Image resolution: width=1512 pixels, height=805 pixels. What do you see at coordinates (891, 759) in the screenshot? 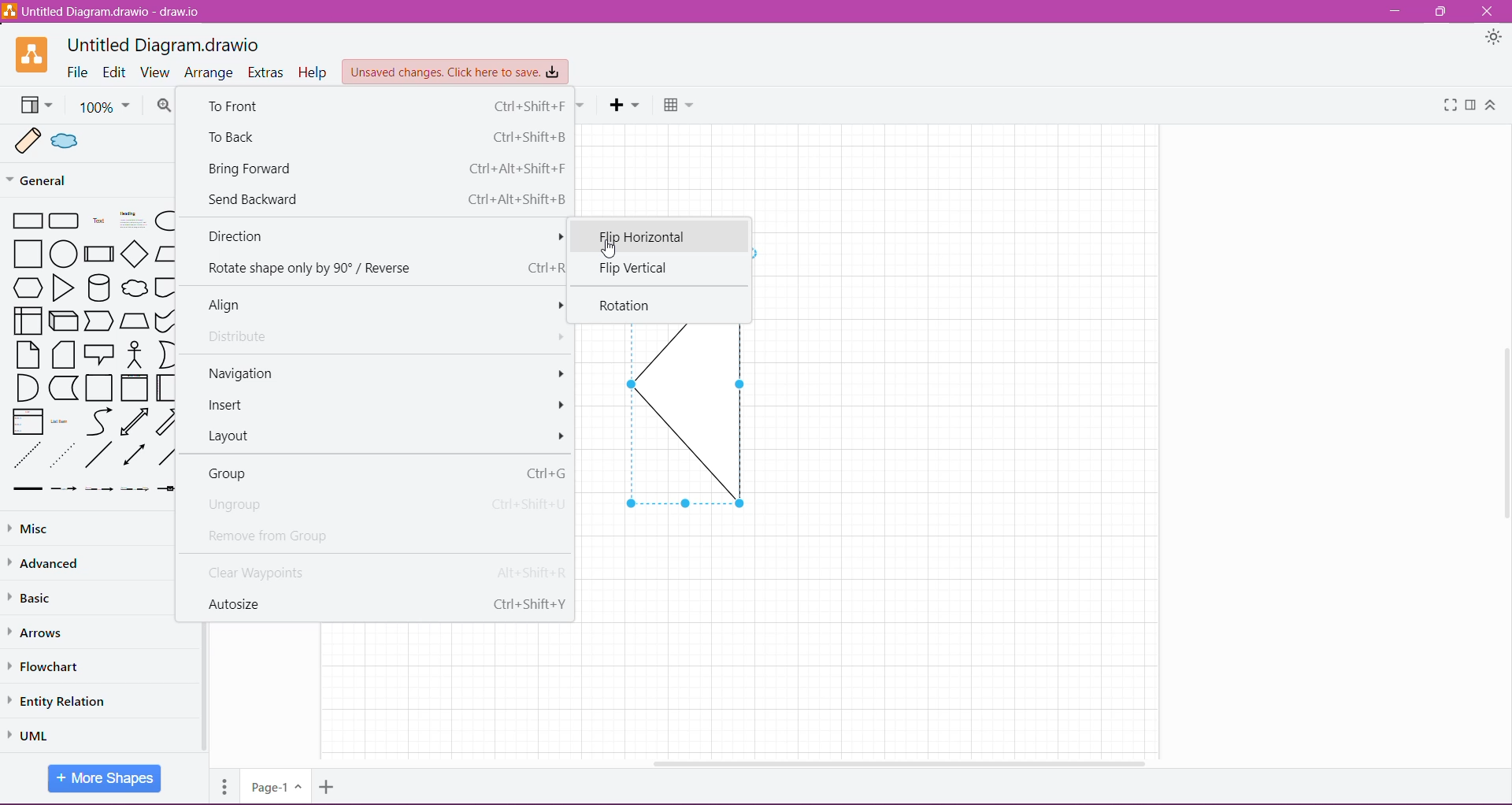
I see `Horizontal Scroll Bar` at bounding box center [891, 759].